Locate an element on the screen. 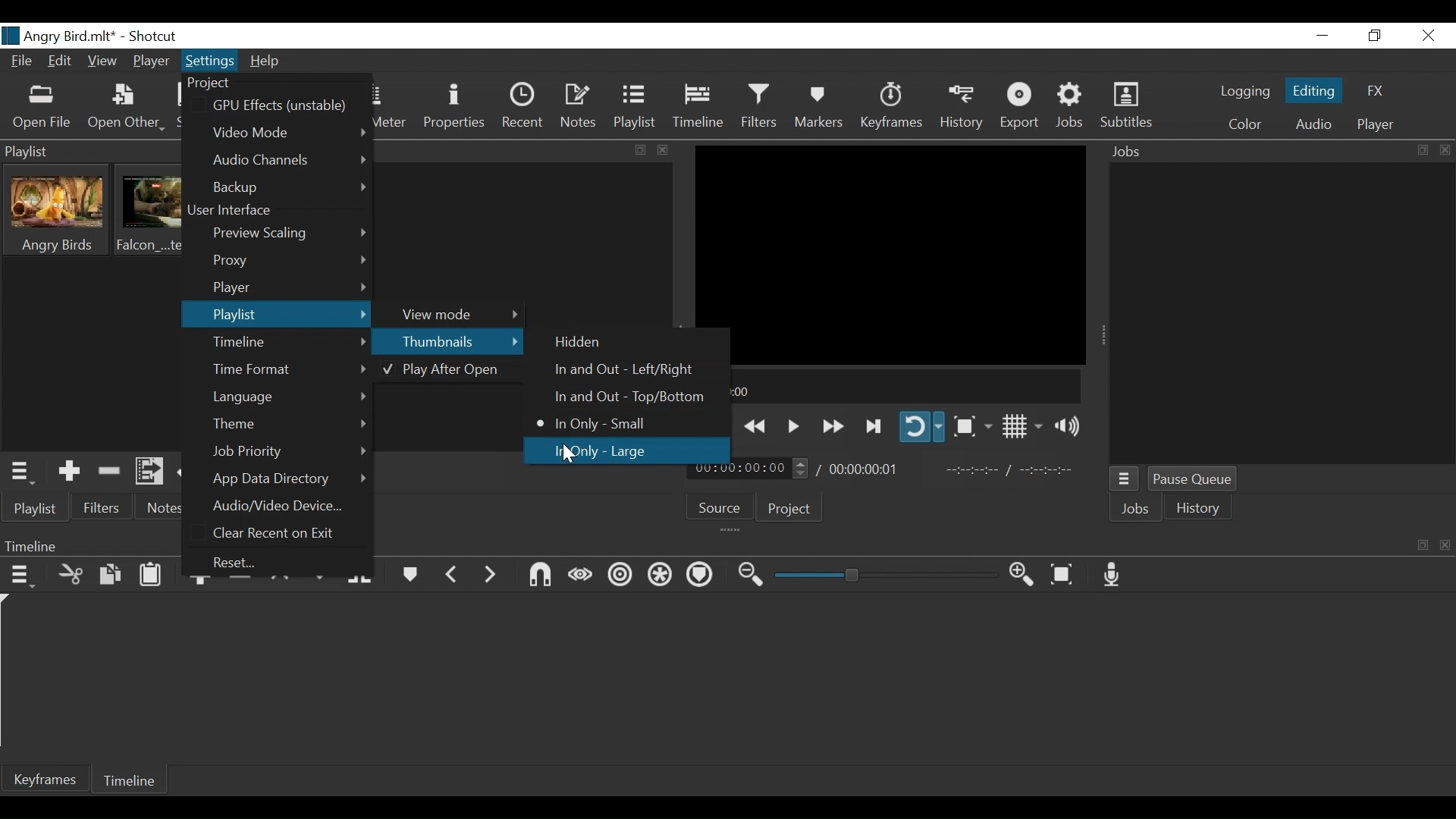  Cut is located at coordinates (71, 576).